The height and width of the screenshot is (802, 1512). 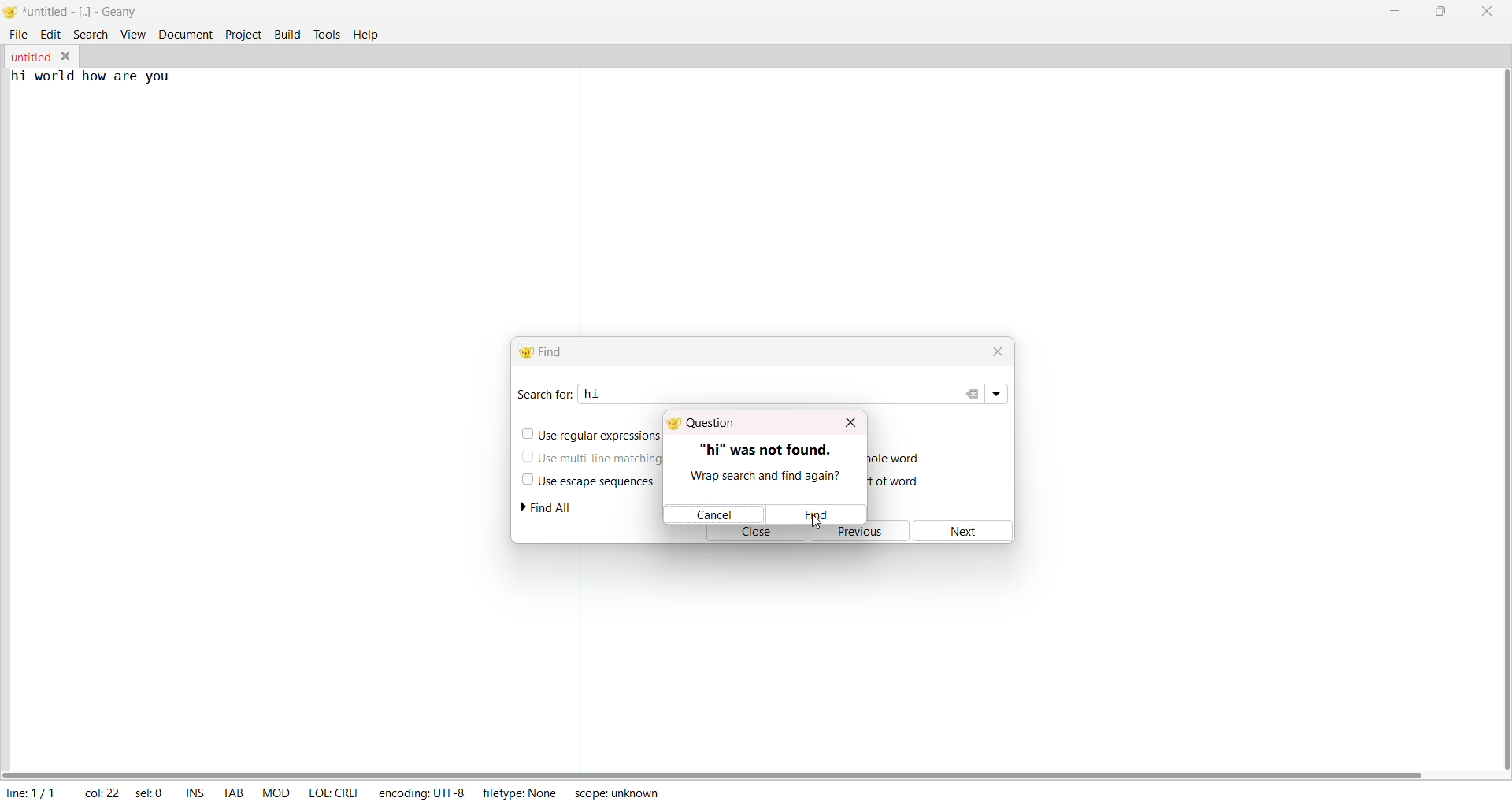 I want to click on find, so click(x=821, y=511).